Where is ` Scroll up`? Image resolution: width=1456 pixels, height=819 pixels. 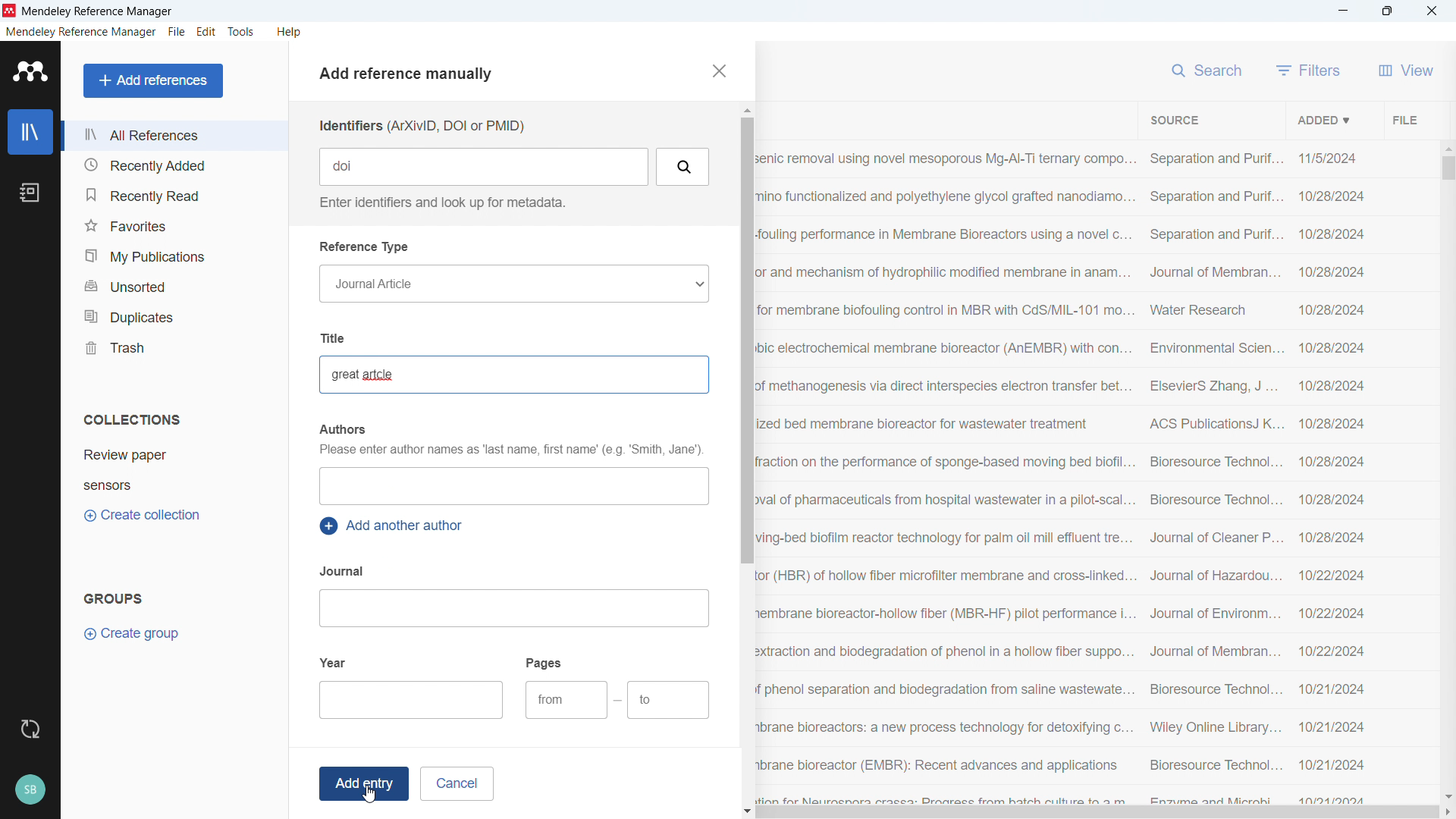  Scroll up is located at coordinates (745, 110).